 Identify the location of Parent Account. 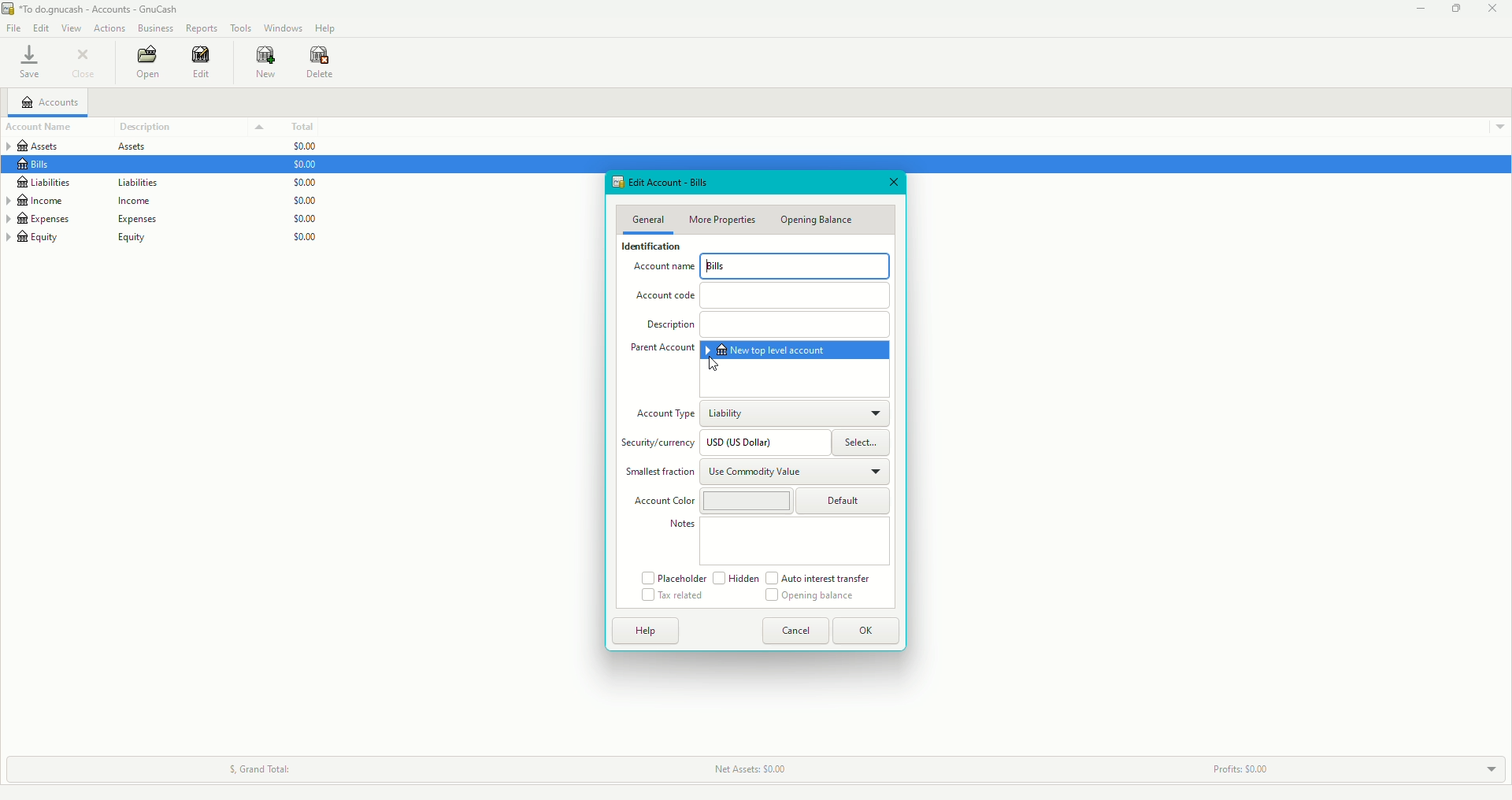
(661, 350).